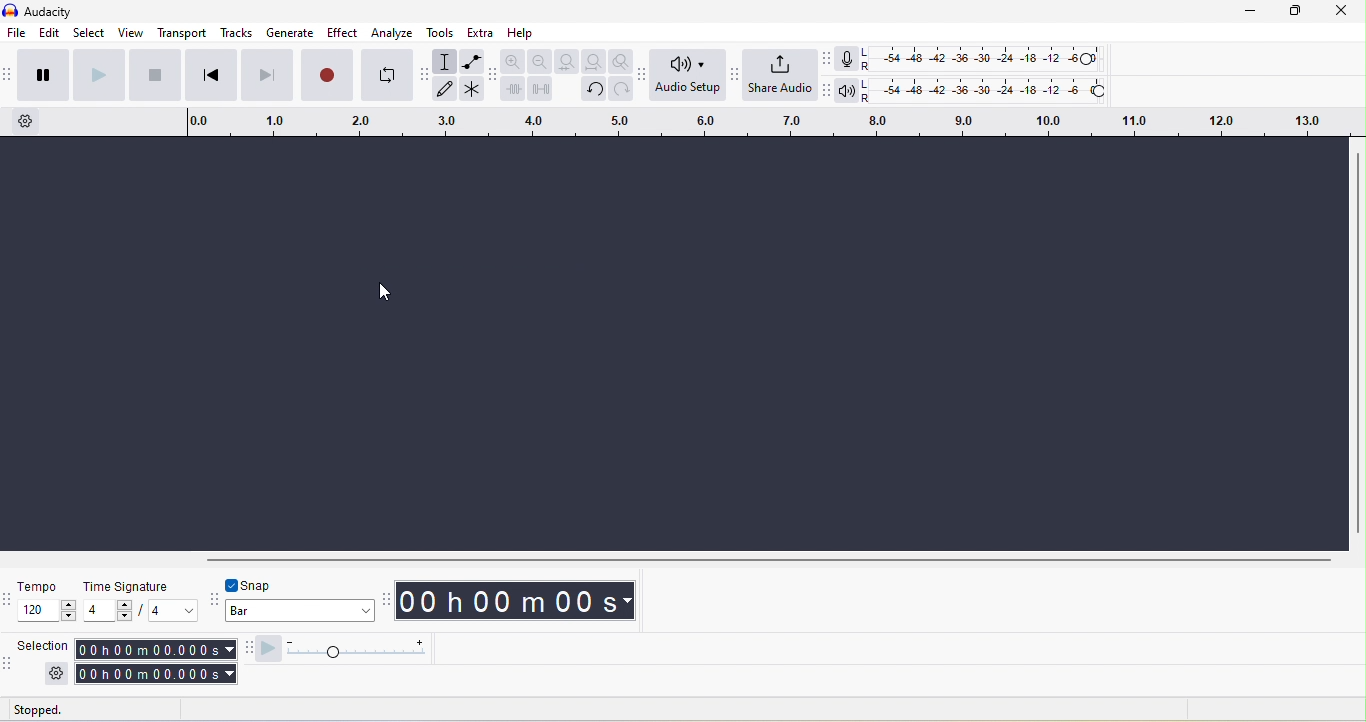  I want to click on audacity transport toolbar, so click(9, 76).